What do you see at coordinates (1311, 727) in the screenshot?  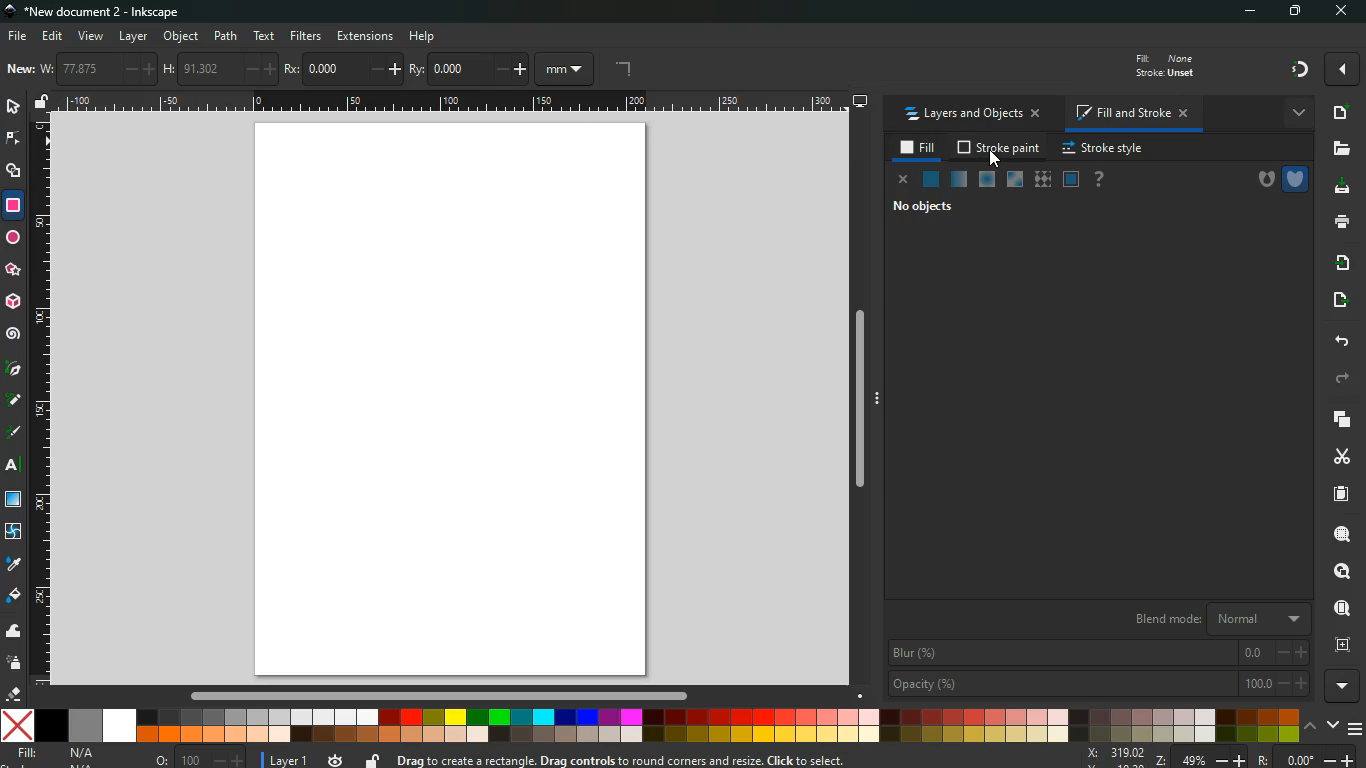 I see `up` at bounding box center [1311, 727].